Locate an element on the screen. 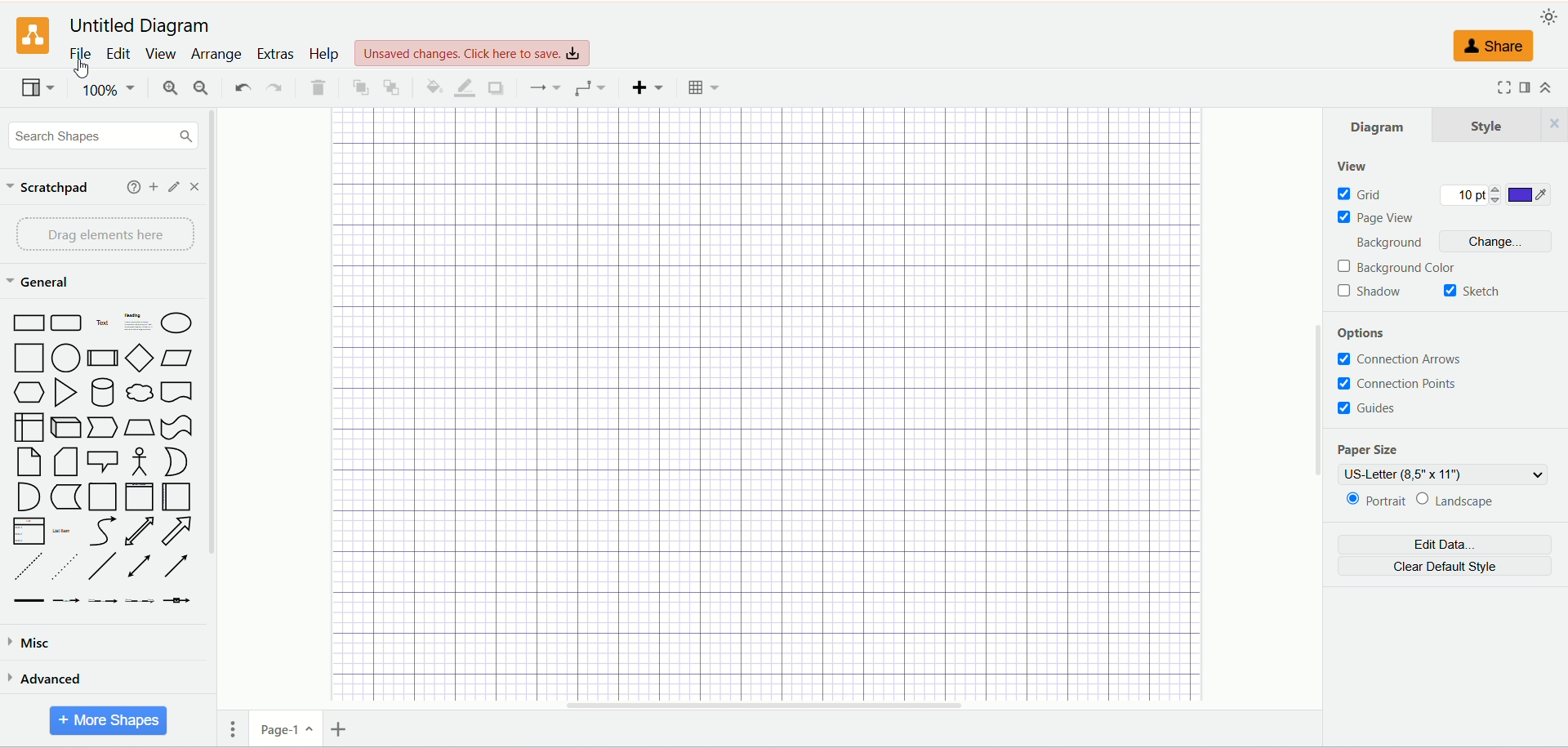 The image size is (1568, 748). add page is located at coordinates (344, 728).